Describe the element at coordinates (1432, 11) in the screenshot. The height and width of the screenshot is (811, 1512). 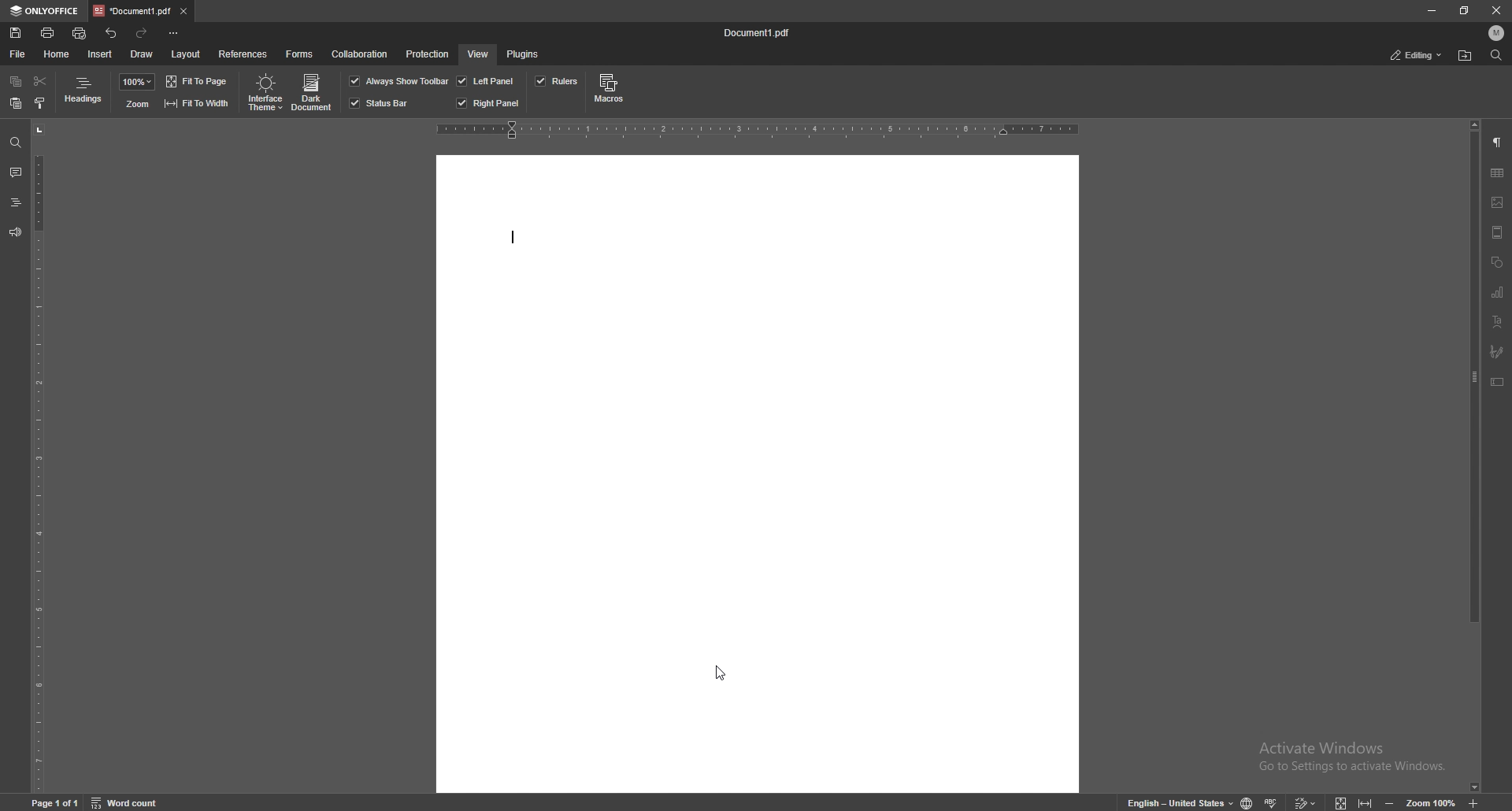
I see `minimize` at that location.